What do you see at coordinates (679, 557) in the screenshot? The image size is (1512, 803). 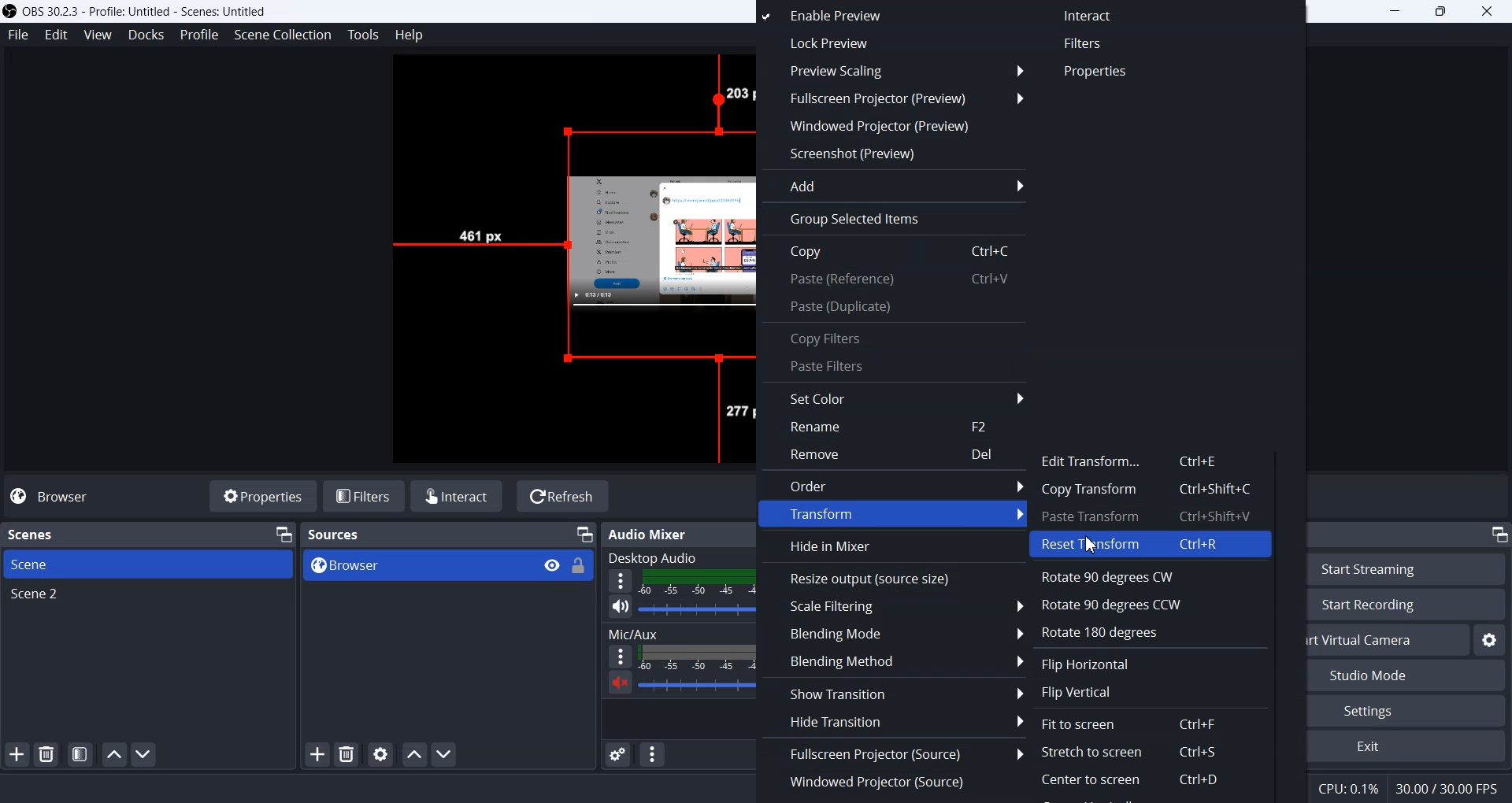 I see `Desktop audio` at bounding box center [679, 557].